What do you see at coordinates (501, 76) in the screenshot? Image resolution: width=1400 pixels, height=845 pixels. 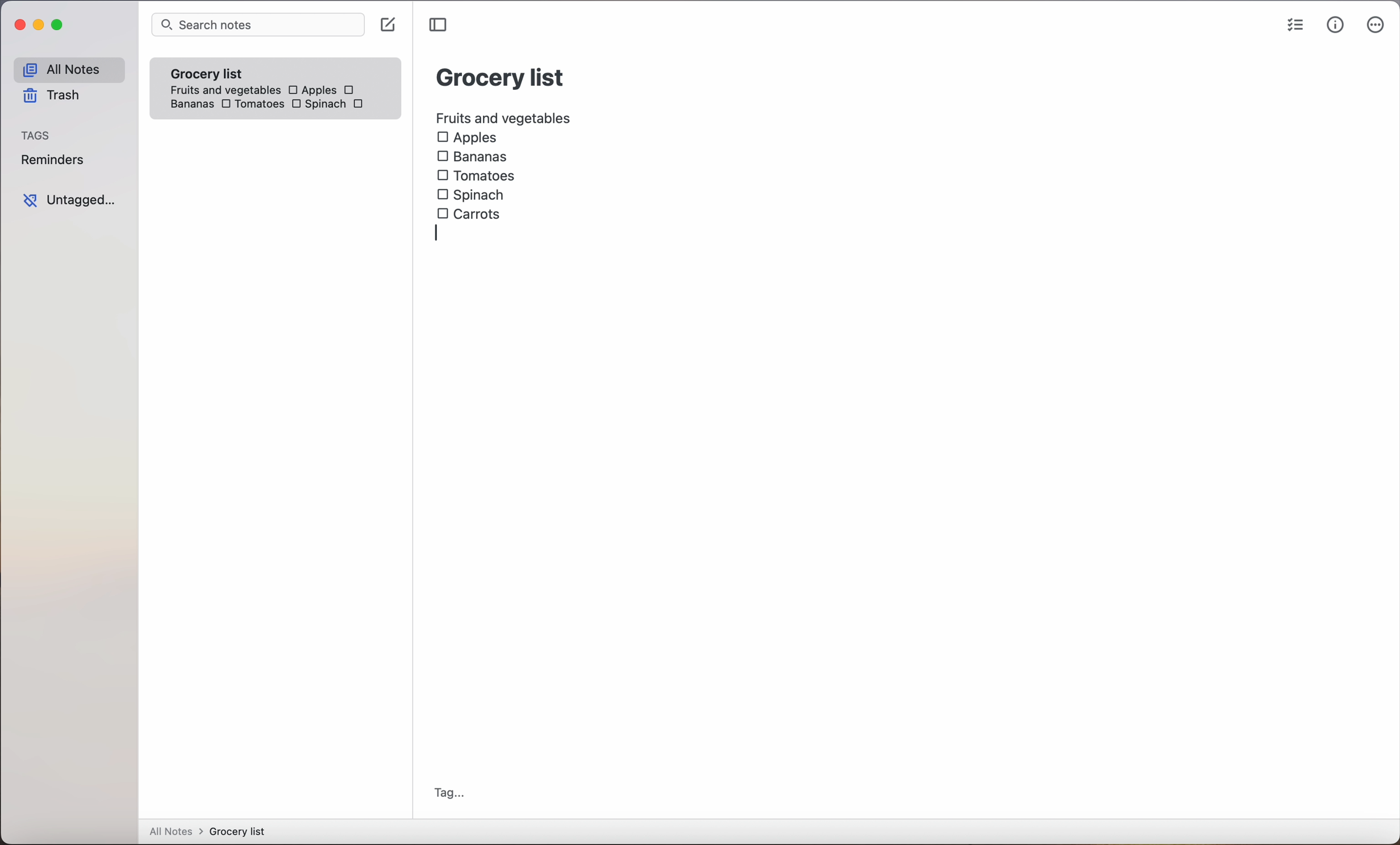 I see `grocery list` at bounding box center [501, 76].